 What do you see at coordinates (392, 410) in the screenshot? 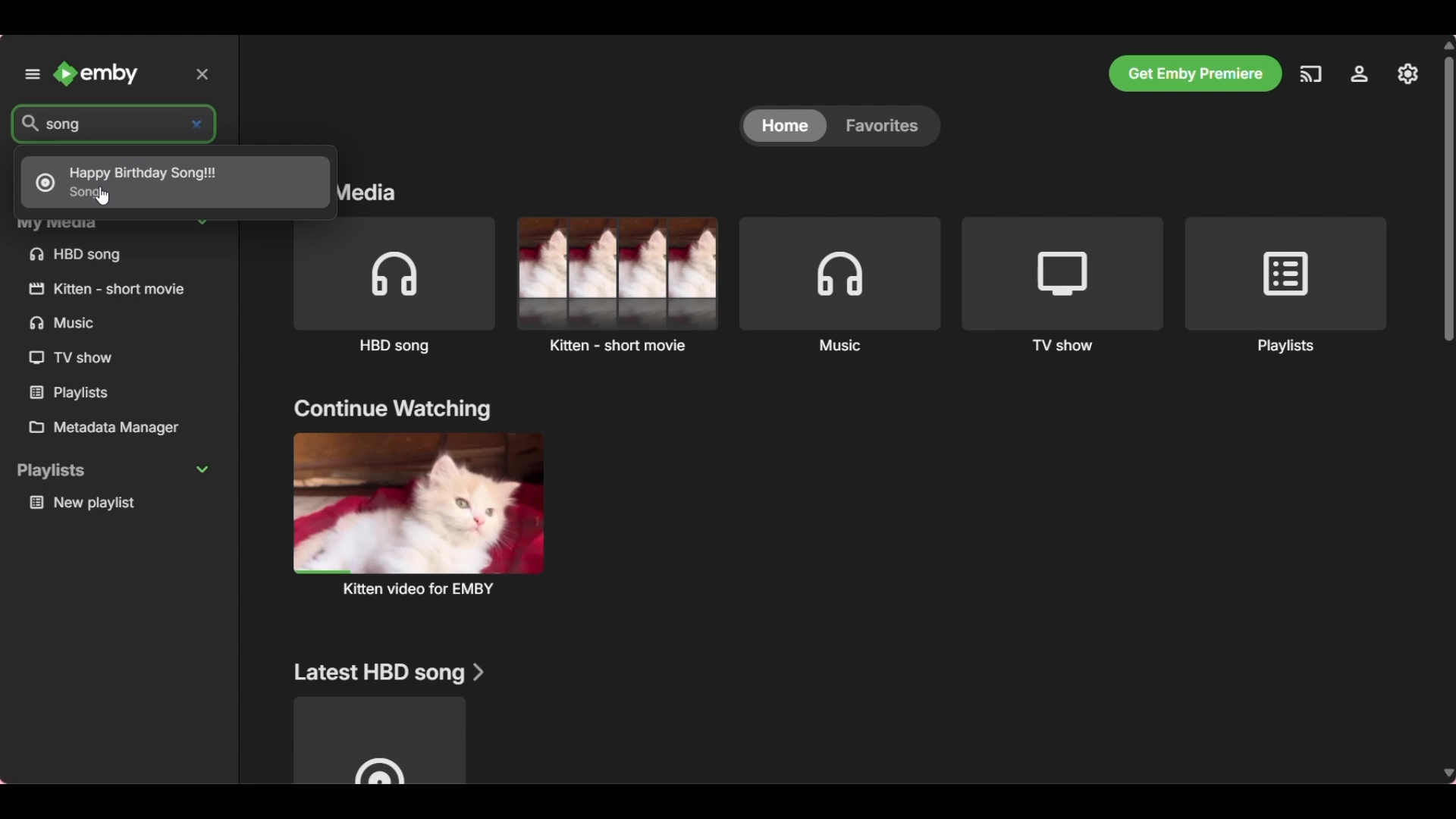
I see `continue watching` at bounding box center [392, 410].